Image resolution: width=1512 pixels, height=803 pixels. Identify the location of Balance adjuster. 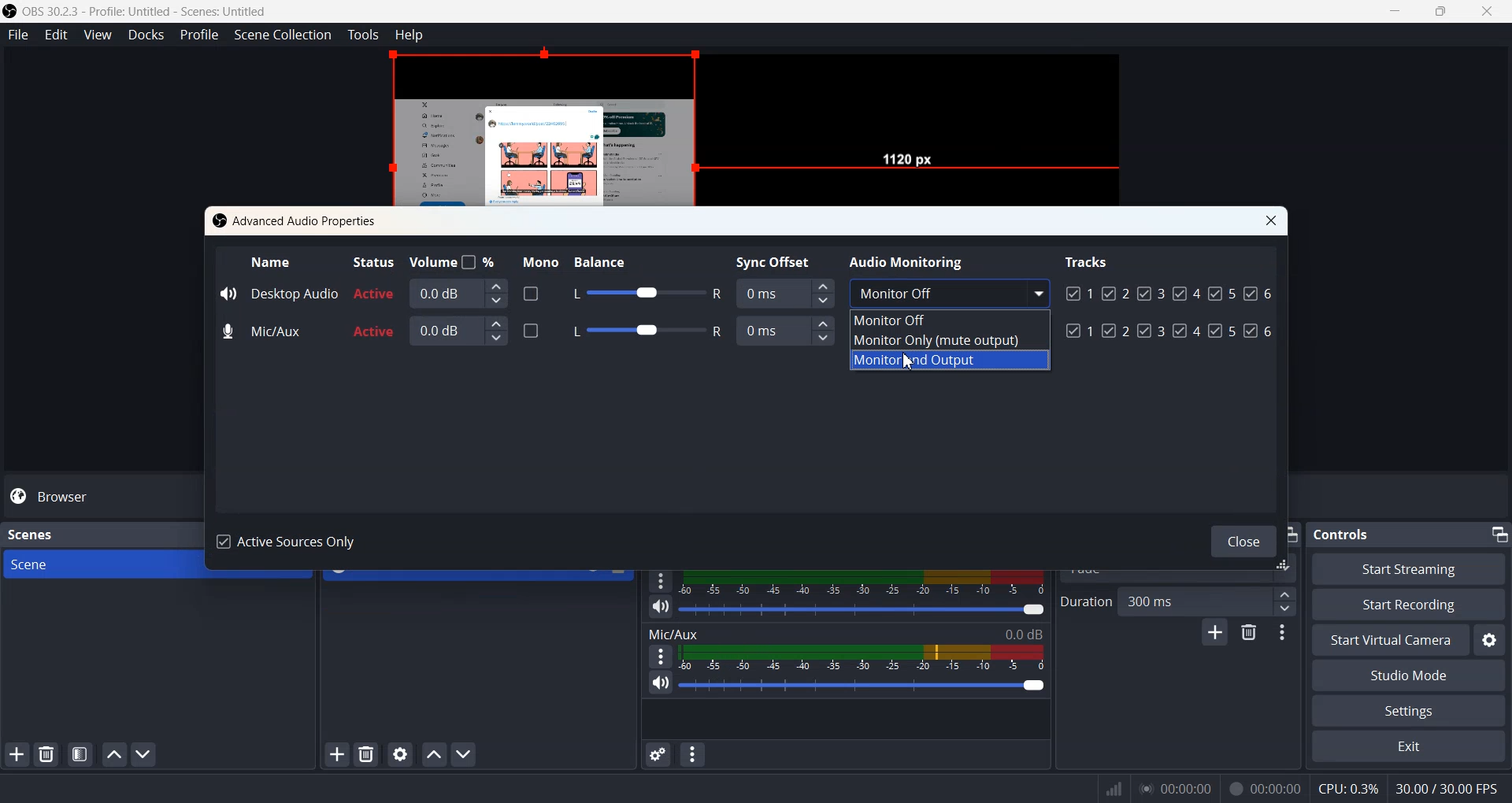
(642, 328).